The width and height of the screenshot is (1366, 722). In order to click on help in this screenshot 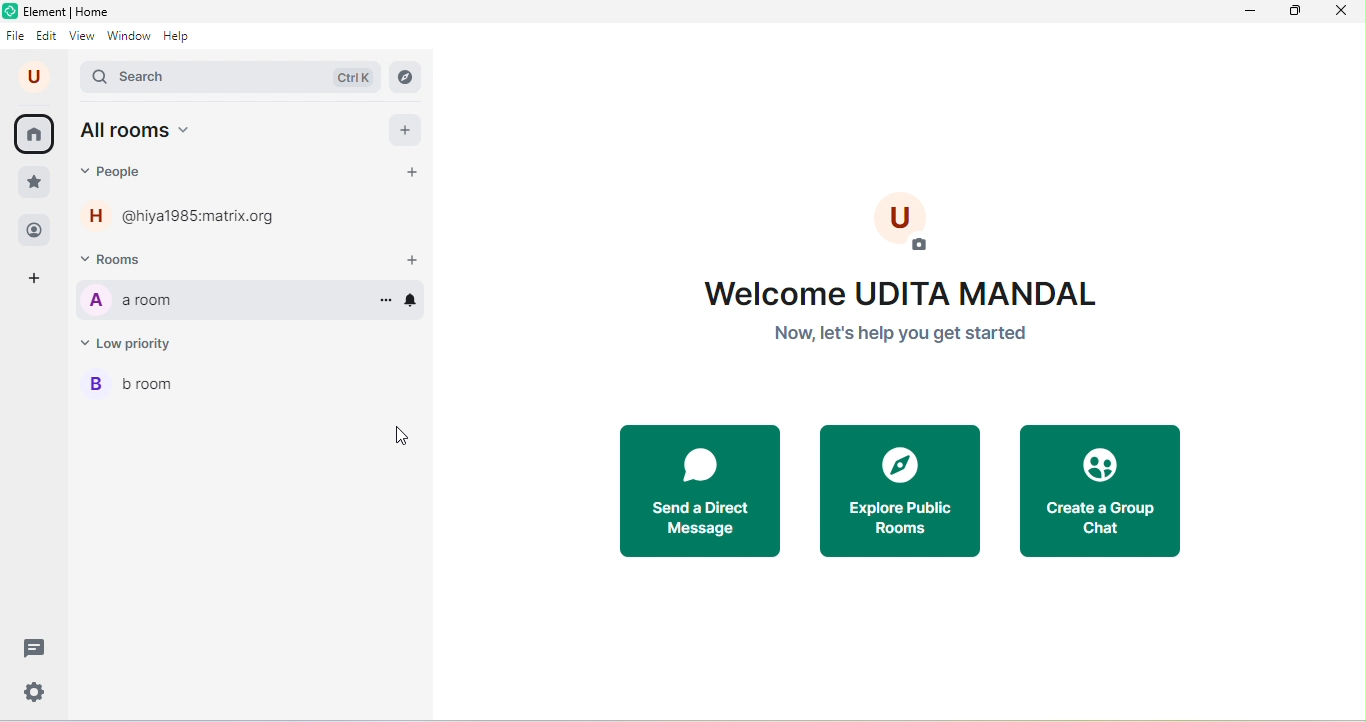, I will do `click(181, 37)`.